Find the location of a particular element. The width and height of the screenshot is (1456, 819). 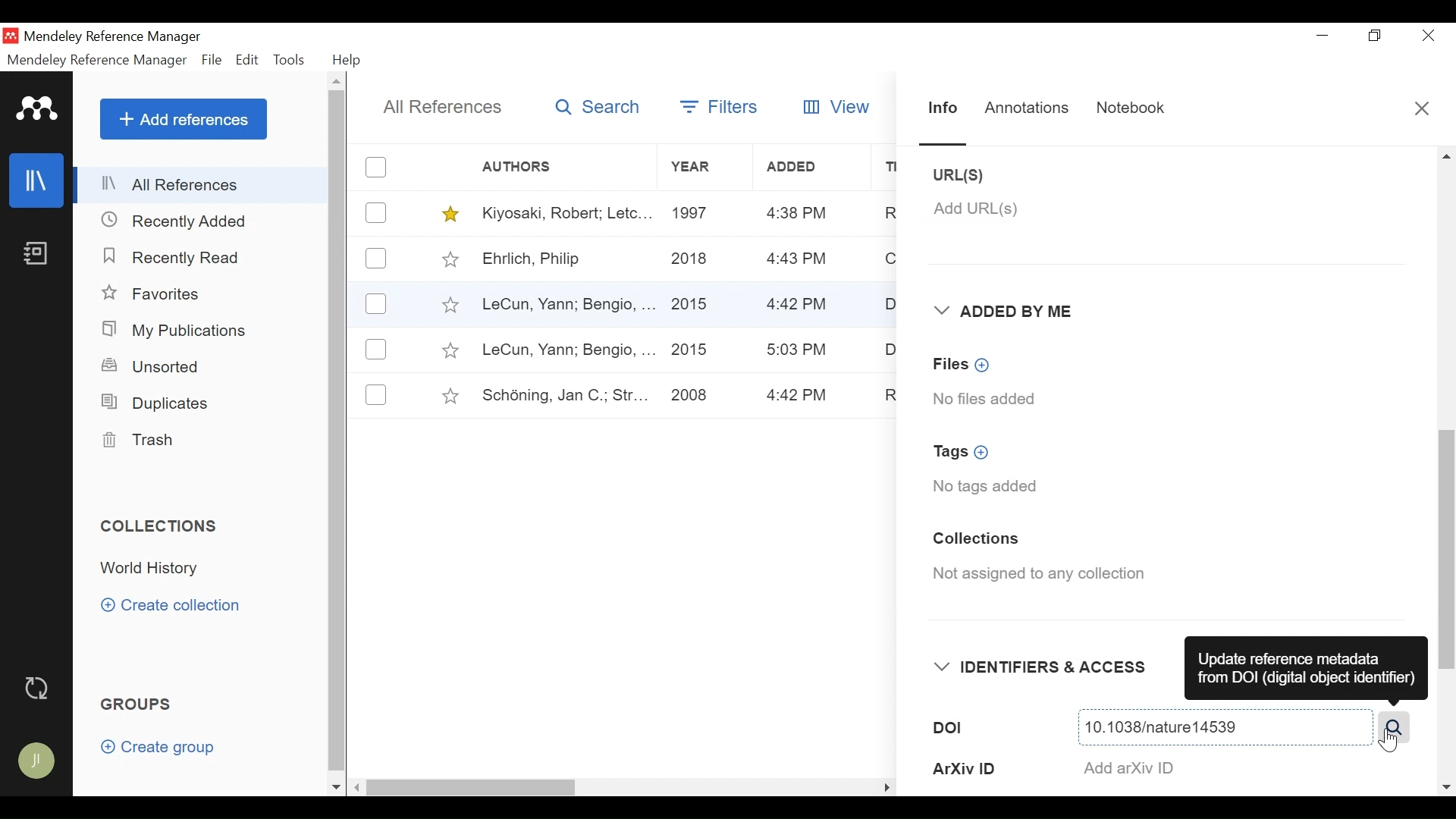

Vertical Scroll bar is located at coordinates (1445, 550).